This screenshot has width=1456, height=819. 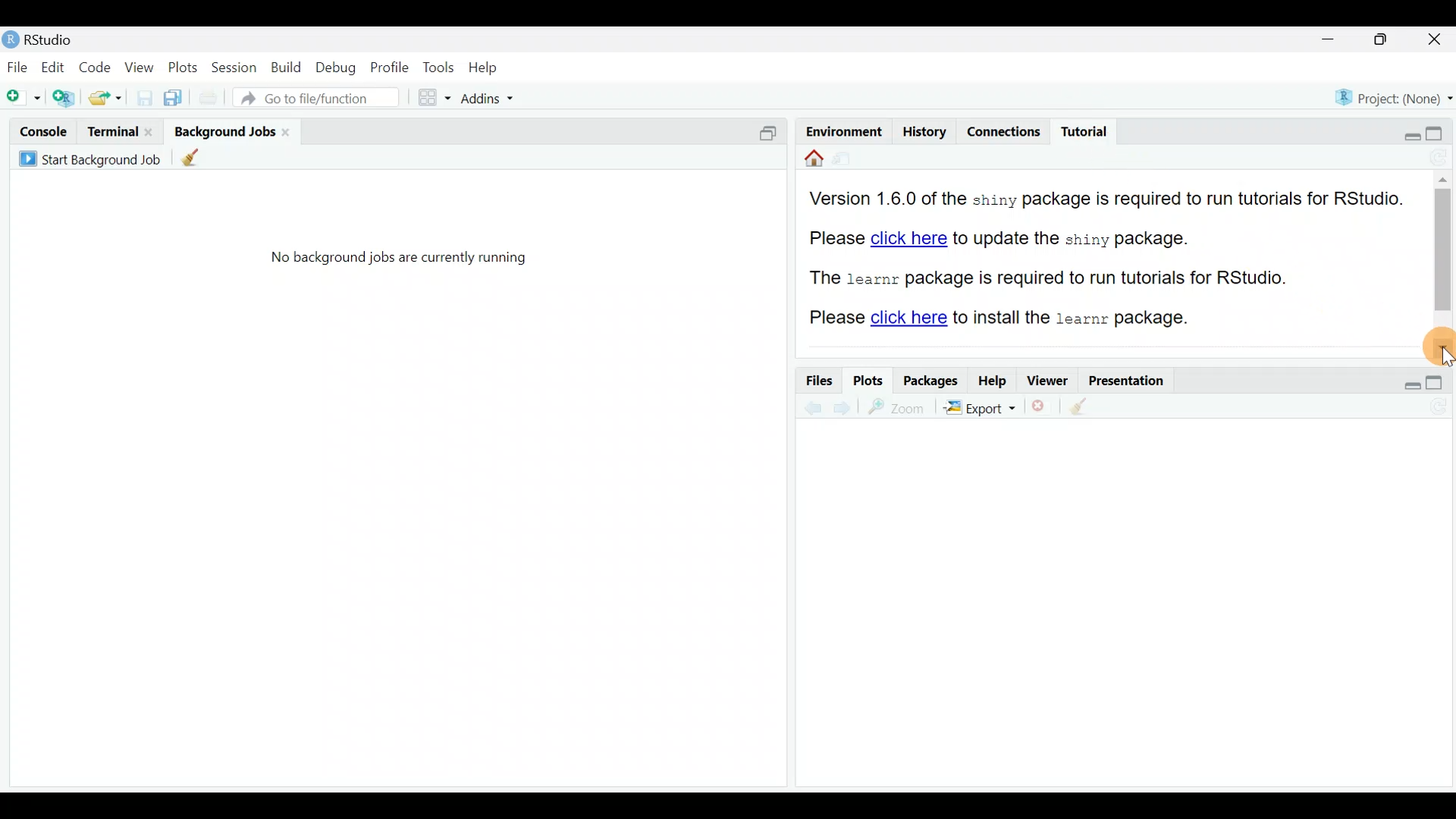 I want to click on Tools, so click(x=438, y=66).